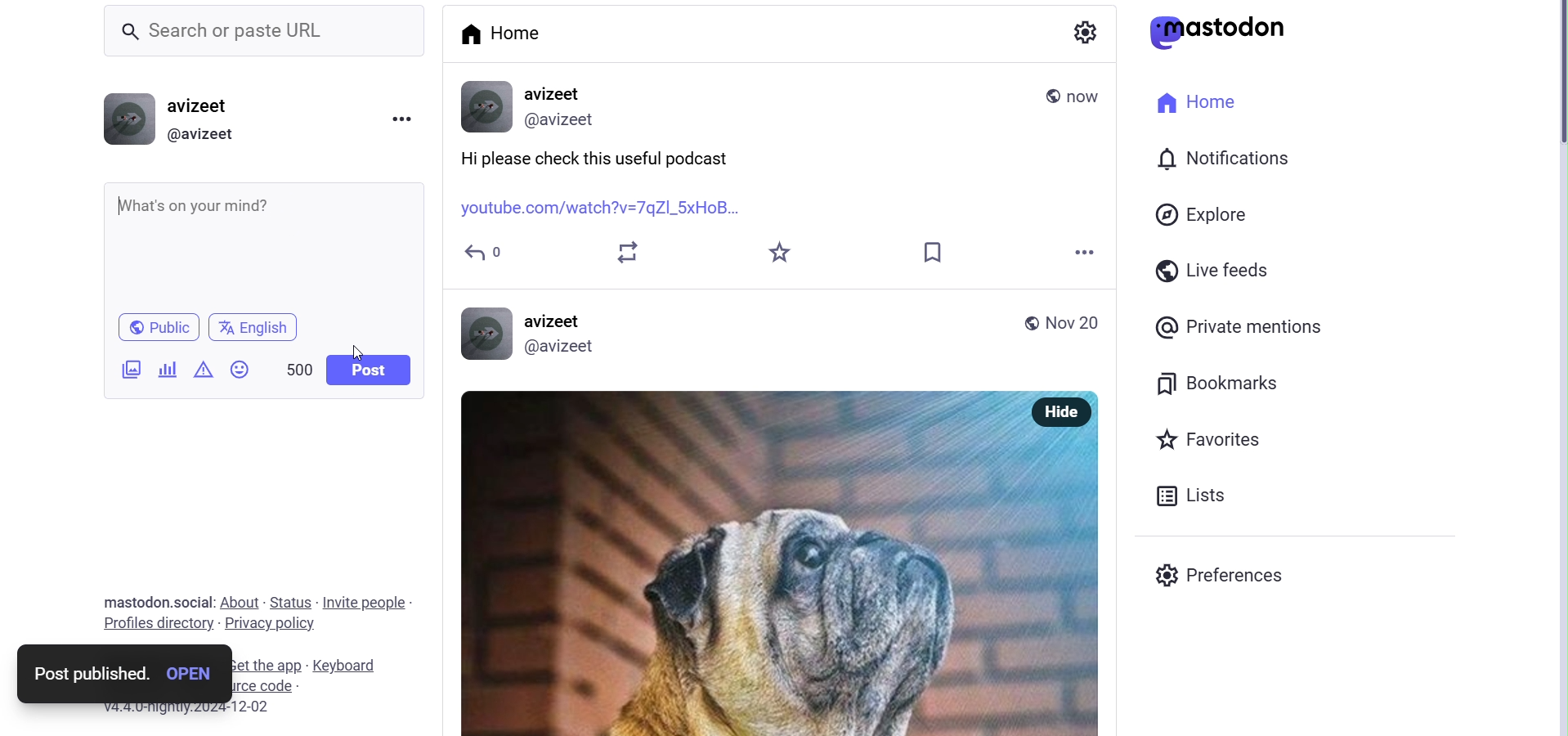 The width and height of the screenshot is (1568, 736). What do you see at coordinates (1199, 105) in the screenshot?
I see `home` at bounding box center [1199, 105].